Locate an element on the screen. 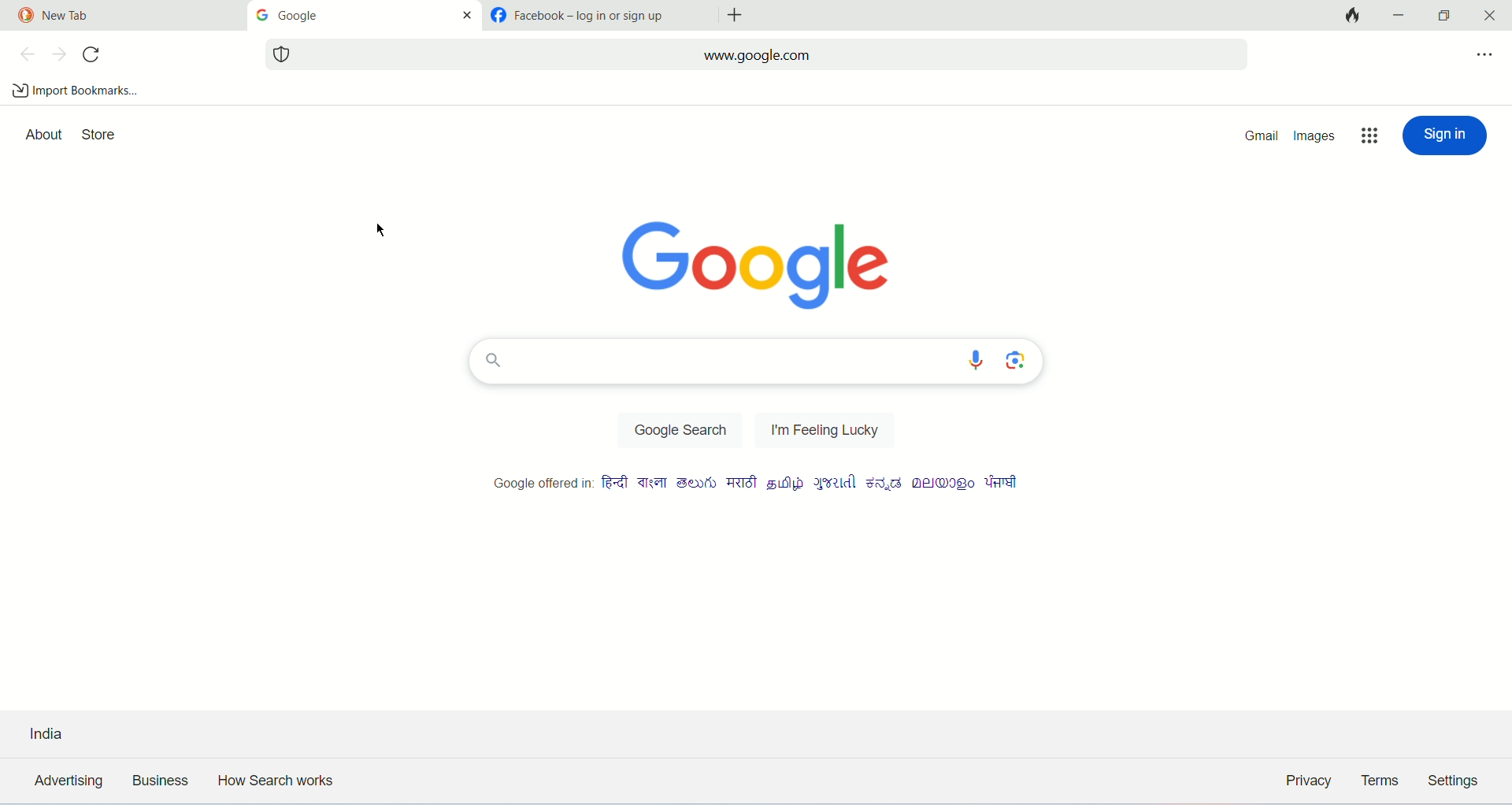 This screenshot has width=1512, height=805. tab1 is located at coordinates (121, 17).